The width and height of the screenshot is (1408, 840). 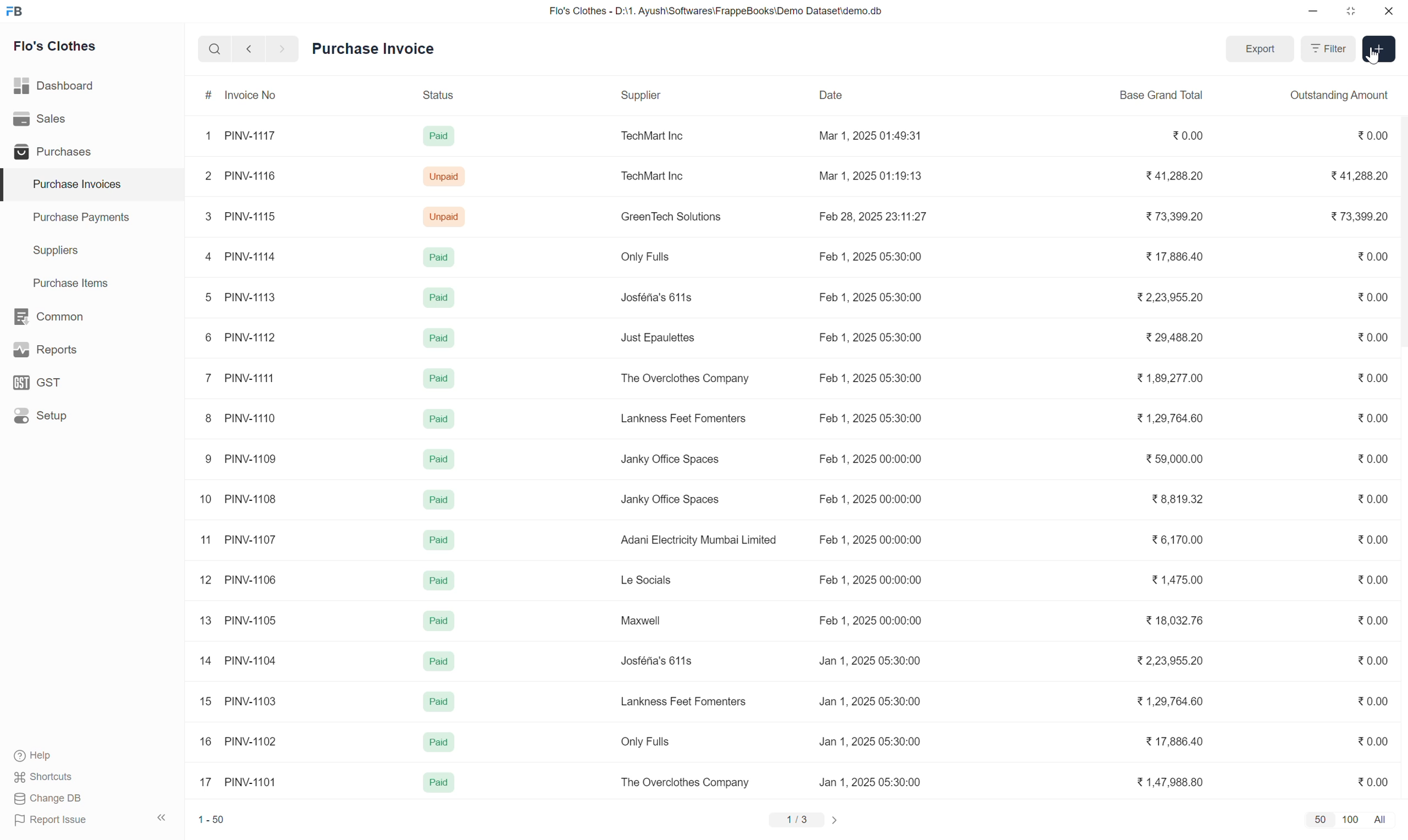 What do you see at coordinates (870, 781) in the screenshot?
I see `Jan 1, 2025 05:30:00` at bounding box center [870, 781].